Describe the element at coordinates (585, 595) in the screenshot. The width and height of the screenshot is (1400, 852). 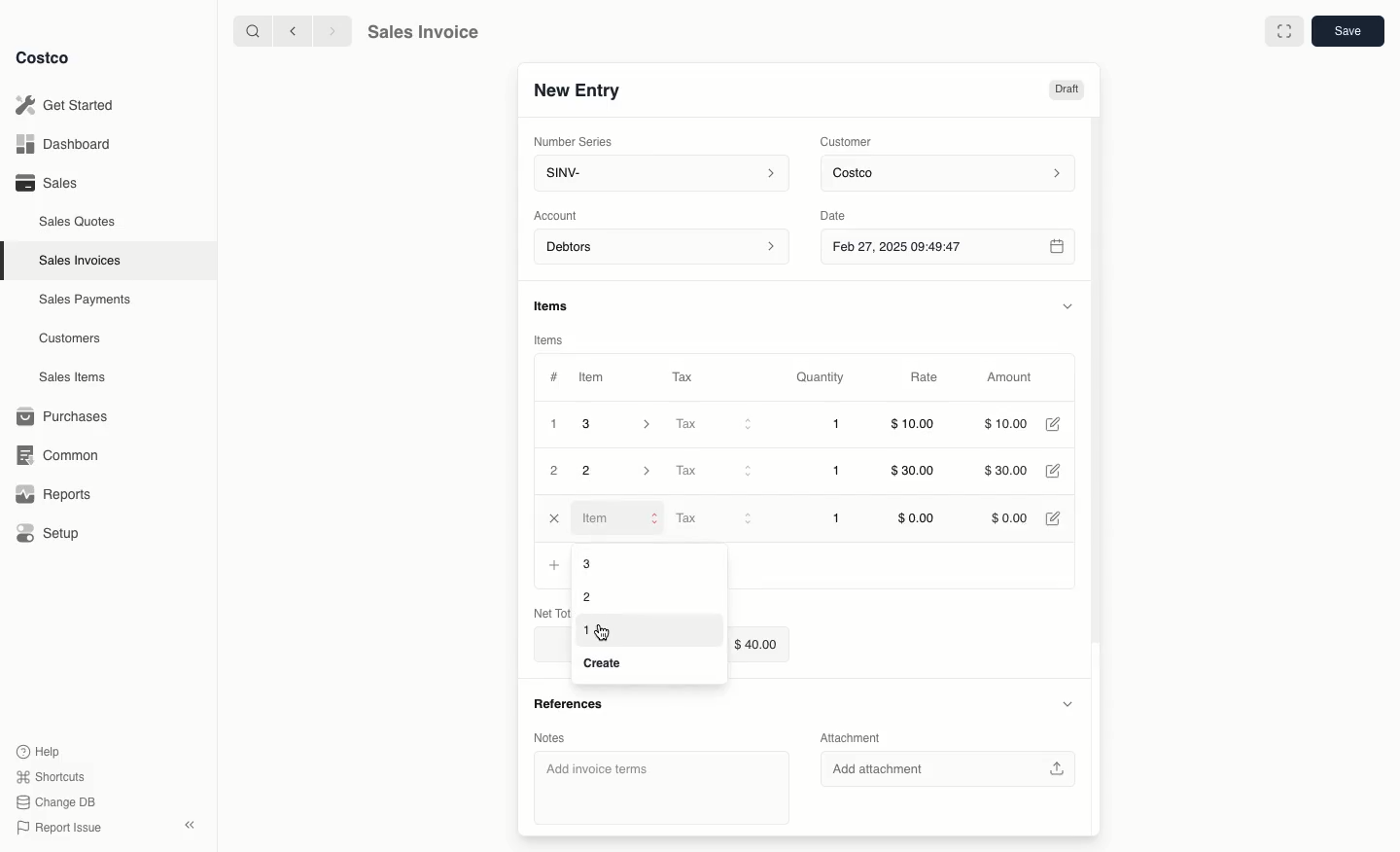
I see `2` at that location.